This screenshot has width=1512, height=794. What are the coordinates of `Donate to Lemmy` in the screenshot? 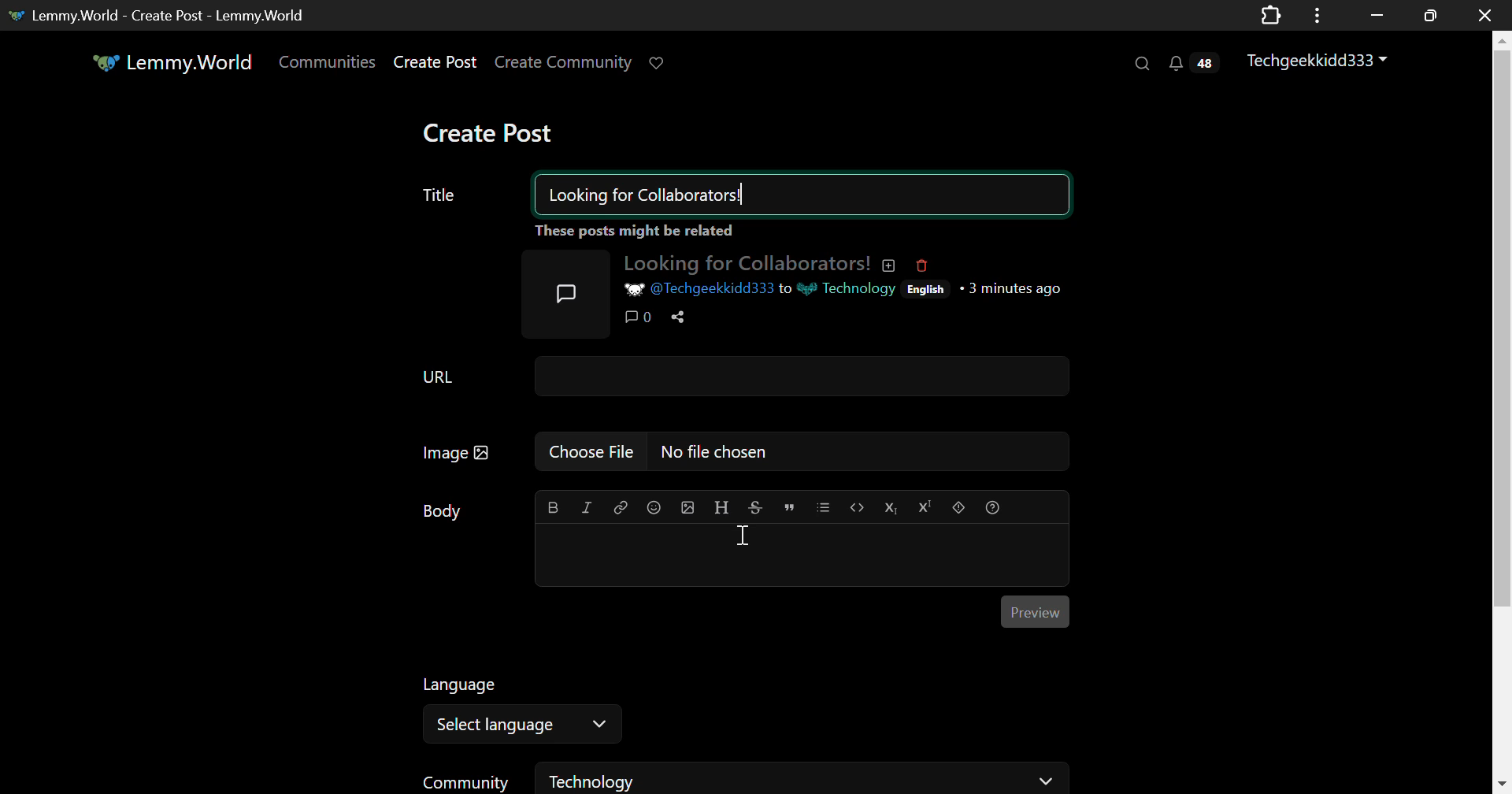 It's located at (658, 64).